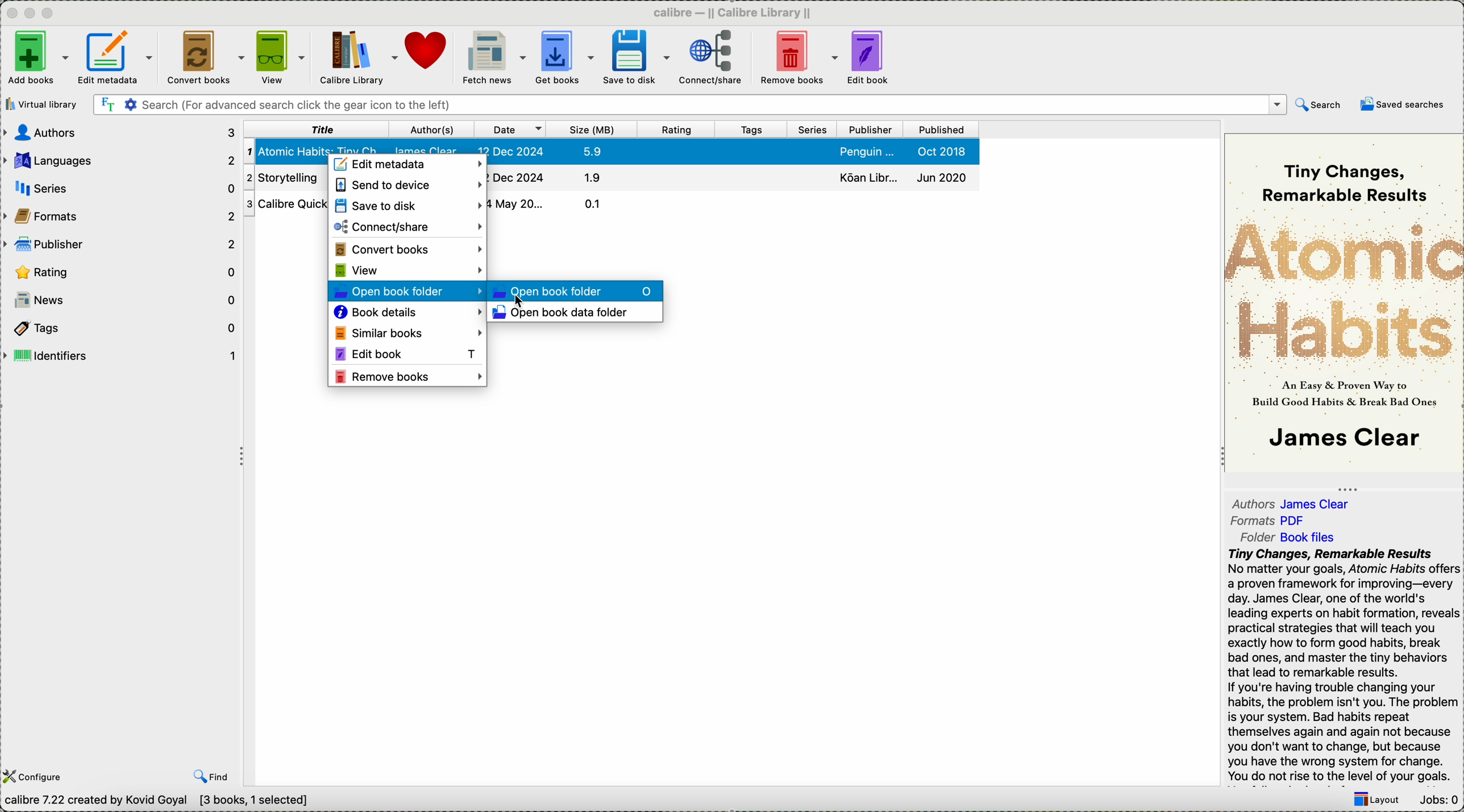 The height and width of the screenshot is (812, 1464). I want to click on saved searches, so click(1403, 104).